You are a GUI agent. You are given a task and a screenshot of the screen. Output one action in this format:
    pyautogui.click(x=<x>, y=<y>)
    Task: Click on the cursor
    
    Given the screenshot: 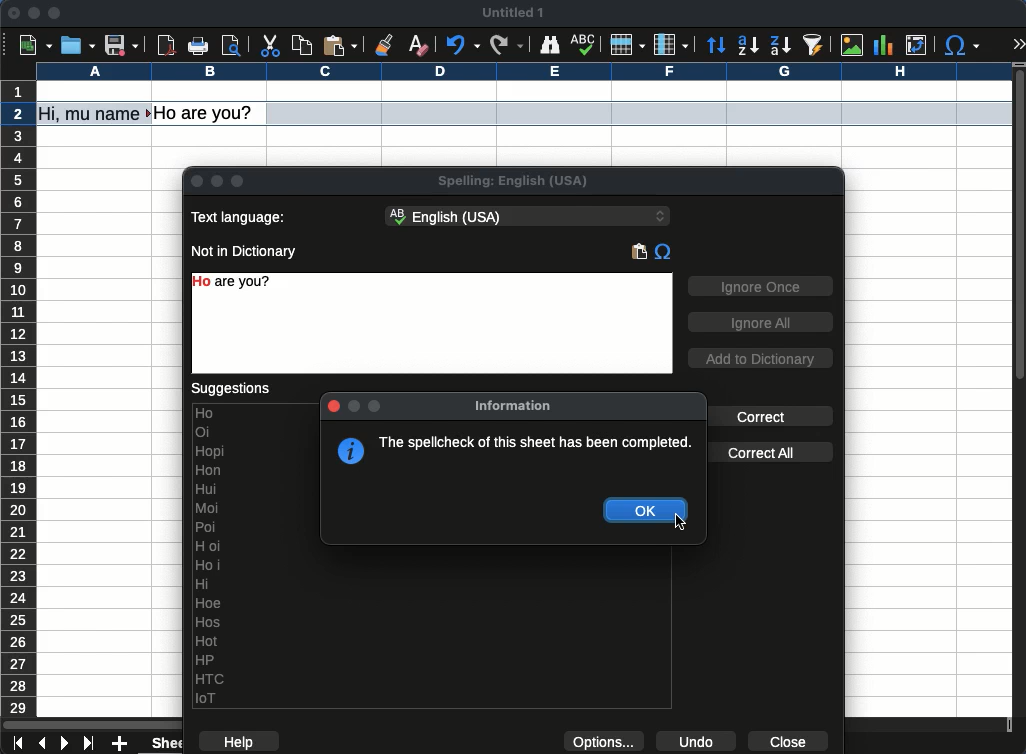 What is the action you would take?
    pyautogui.click(x=22, y=119)
    